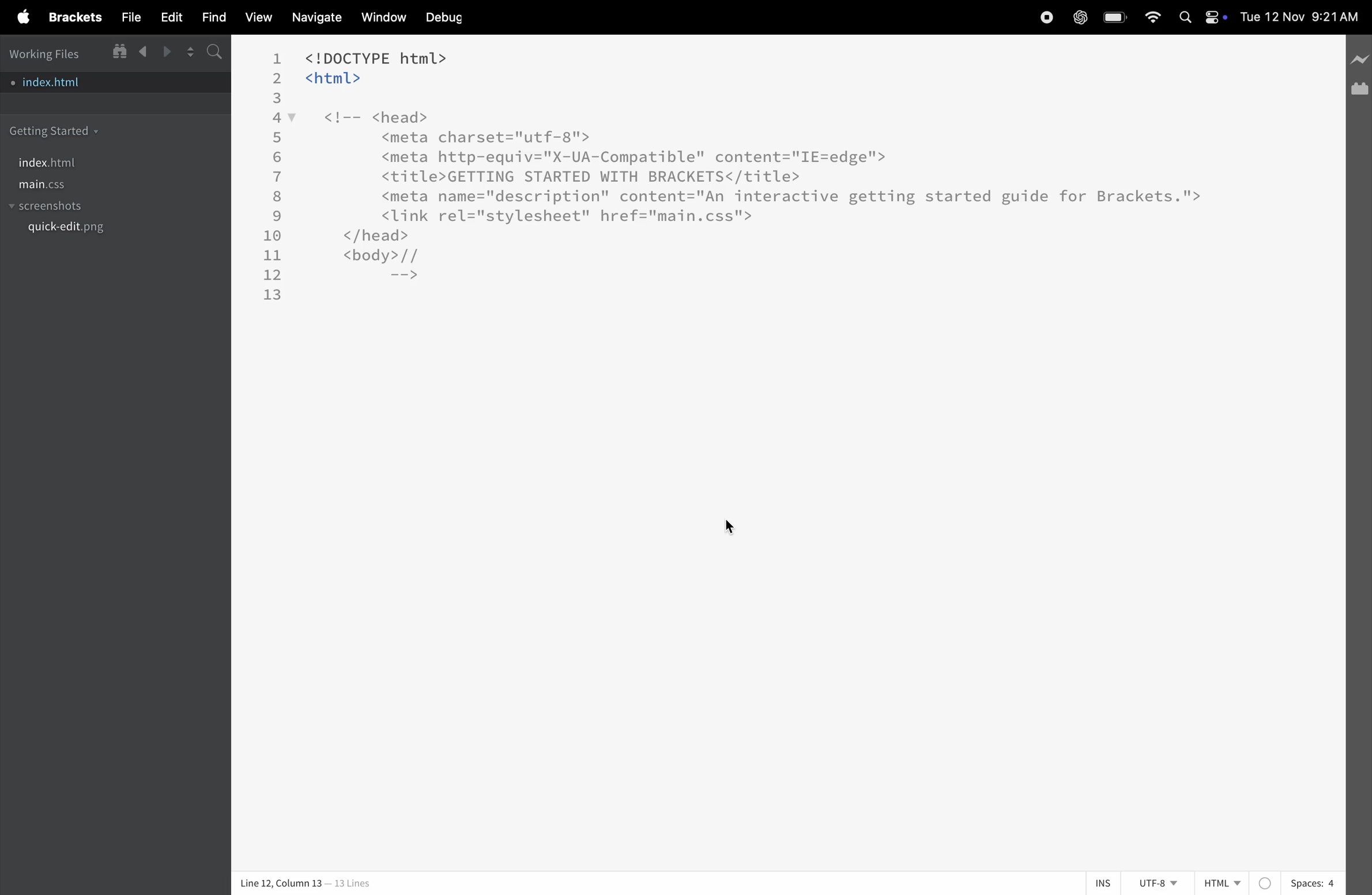 The width and height of the screenshot is (1372, 895). I want to click on date and time, so click(1303, 17).